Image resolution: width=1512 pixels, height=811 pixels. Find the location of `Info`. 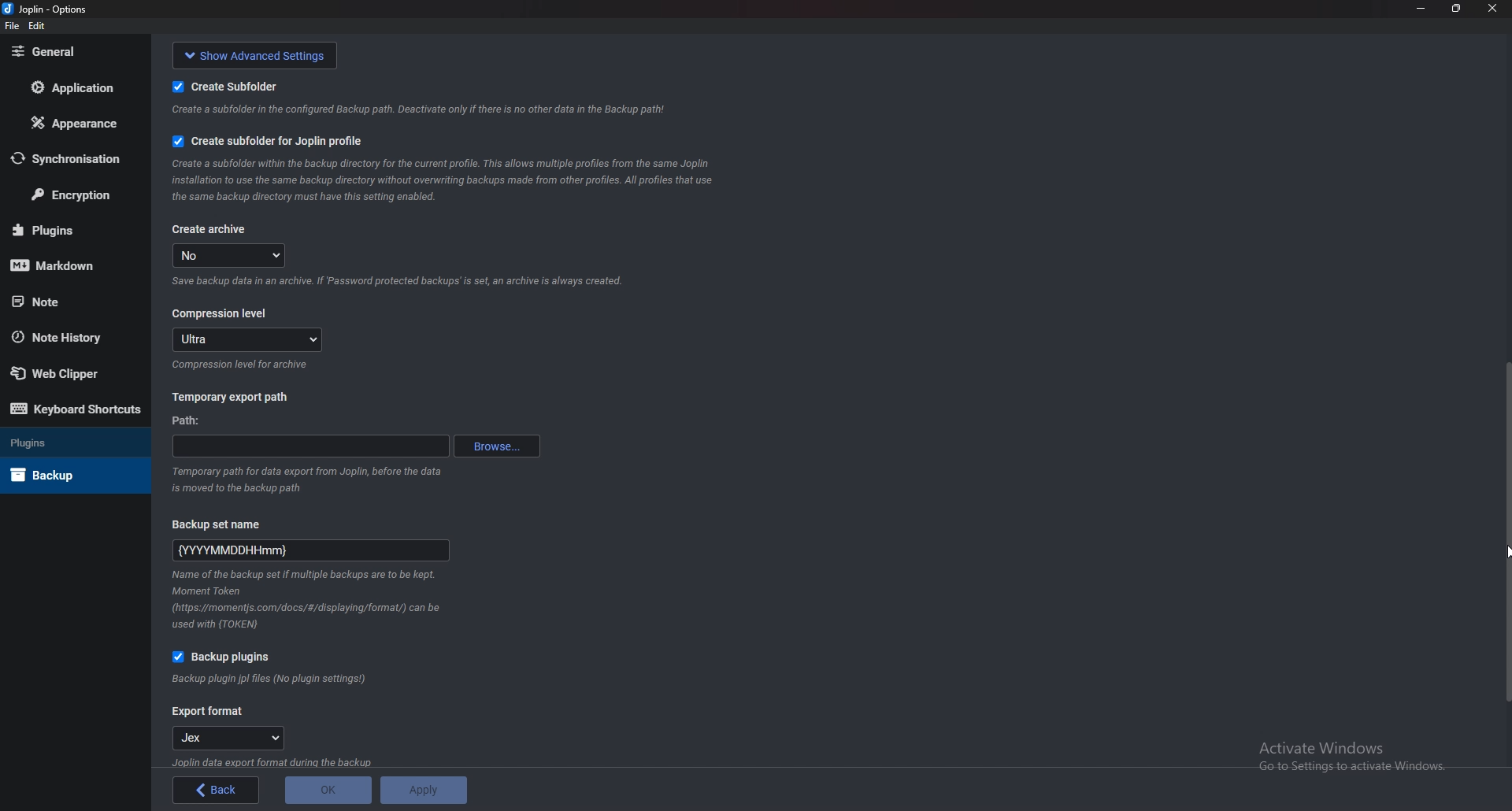

Info is located at coordinates (272, 680).